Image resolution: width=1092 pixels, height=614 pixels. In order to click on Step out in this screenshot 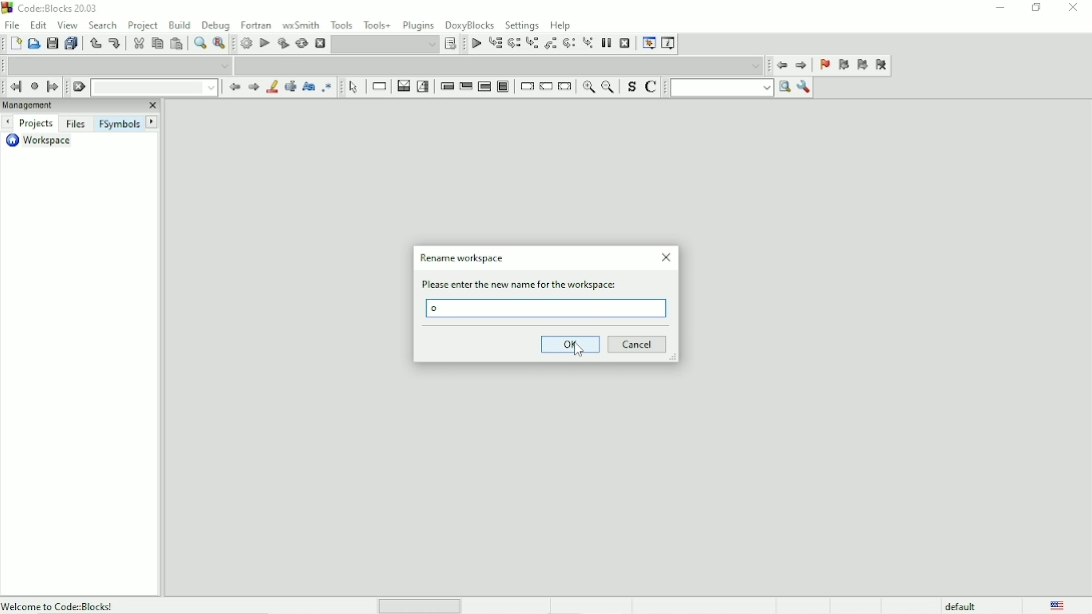, I will do `click(550, 45)`.